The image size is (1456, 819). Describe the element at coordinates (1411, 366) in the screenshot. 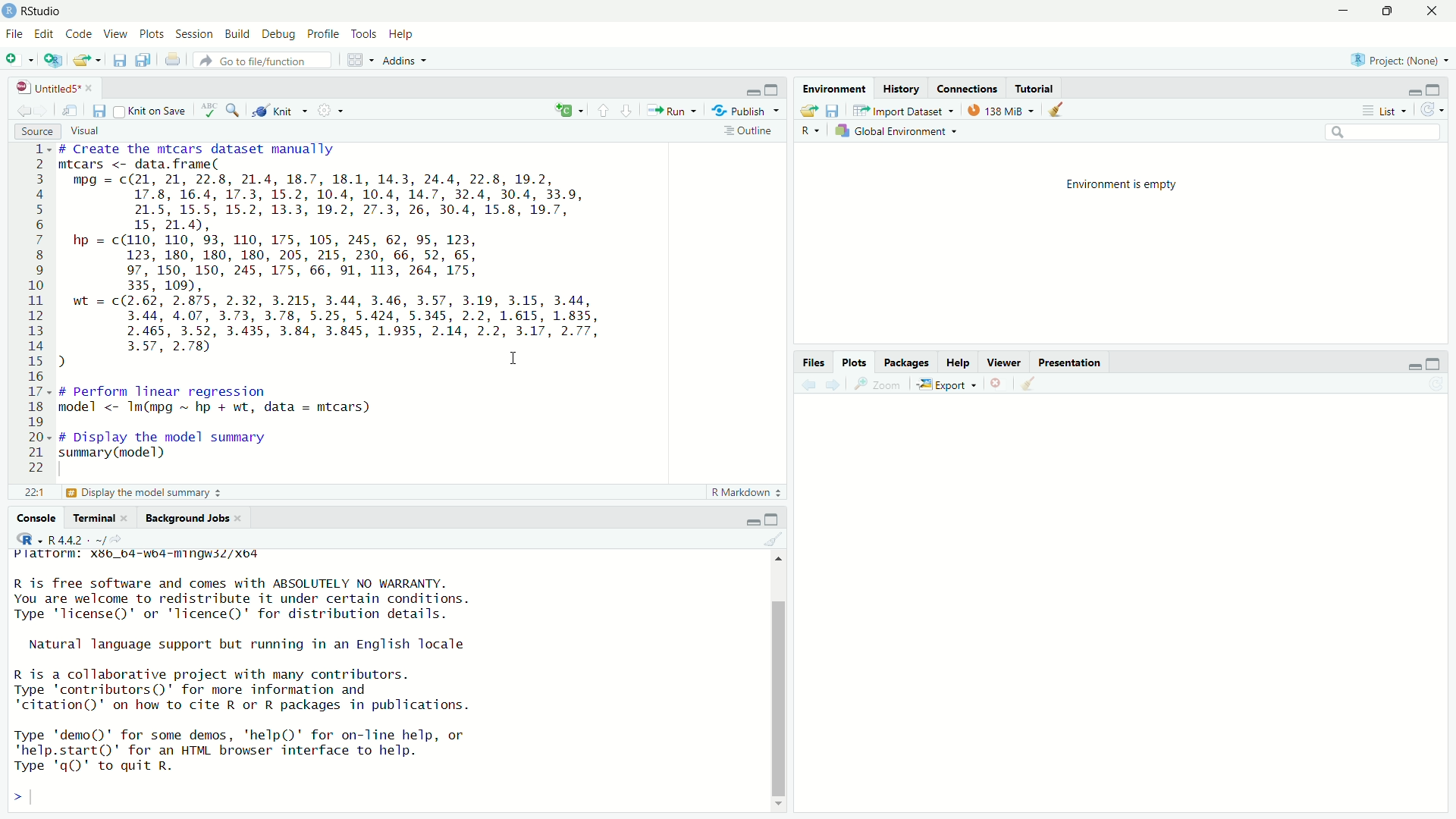

I see `minimize` at that location.